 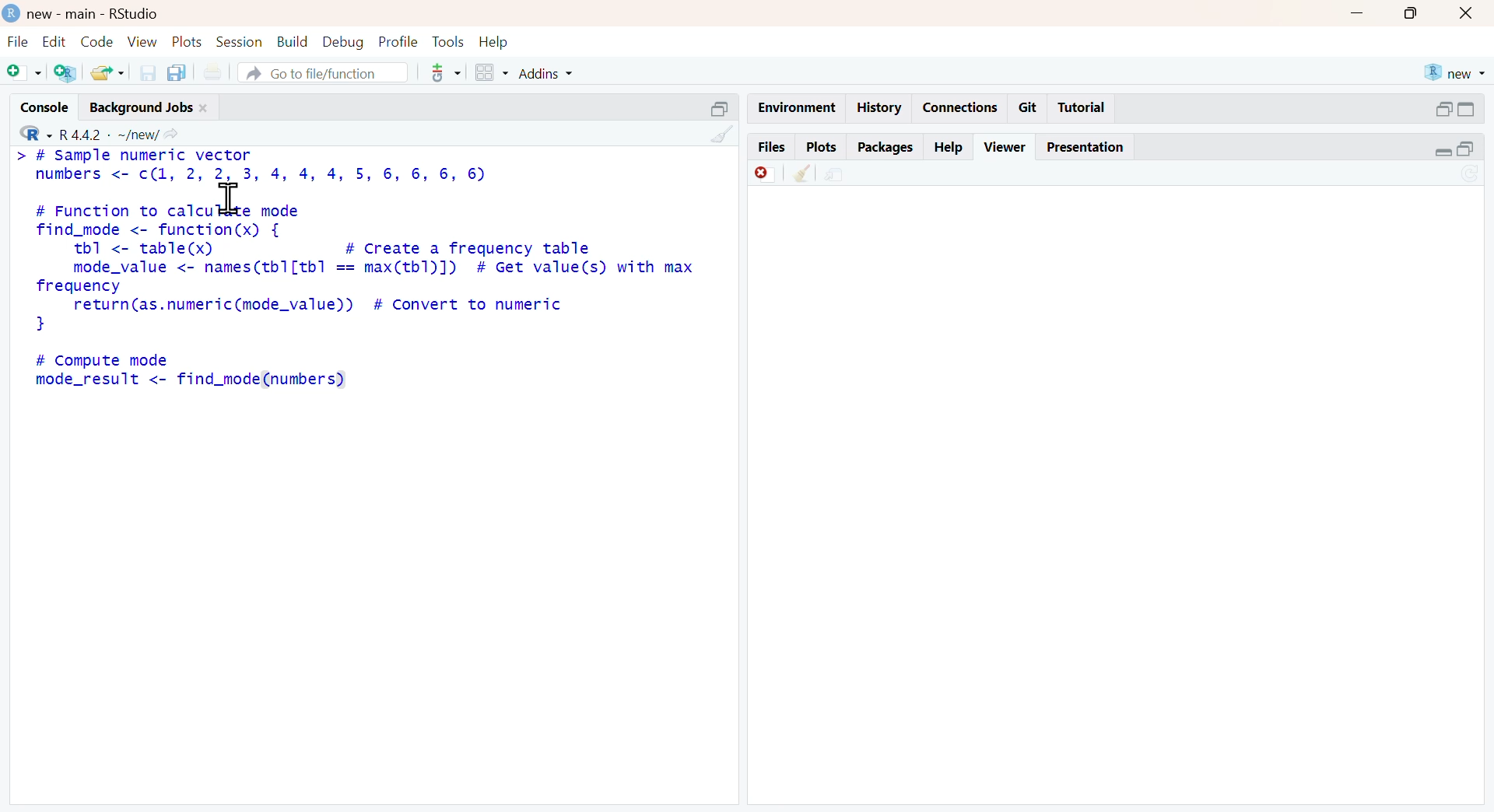 What do you see at coordinates (1456, 72) in the screenshot?
I see `new` at bounding box center [1456, 72].